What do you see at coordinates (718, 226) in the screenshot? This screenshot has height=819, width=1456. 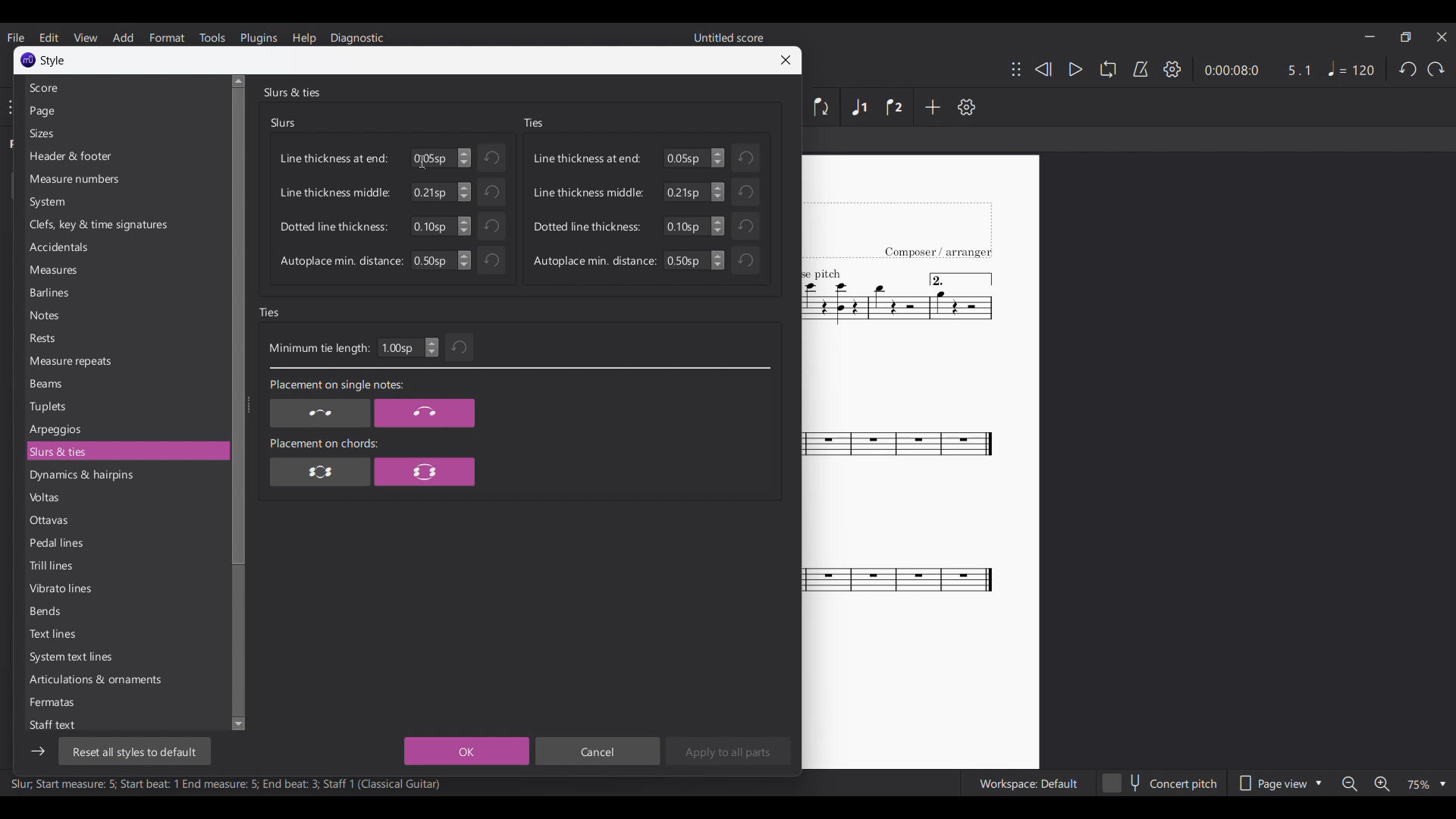 I see `Change dotted line thickness` at bounding box center [718, 226].